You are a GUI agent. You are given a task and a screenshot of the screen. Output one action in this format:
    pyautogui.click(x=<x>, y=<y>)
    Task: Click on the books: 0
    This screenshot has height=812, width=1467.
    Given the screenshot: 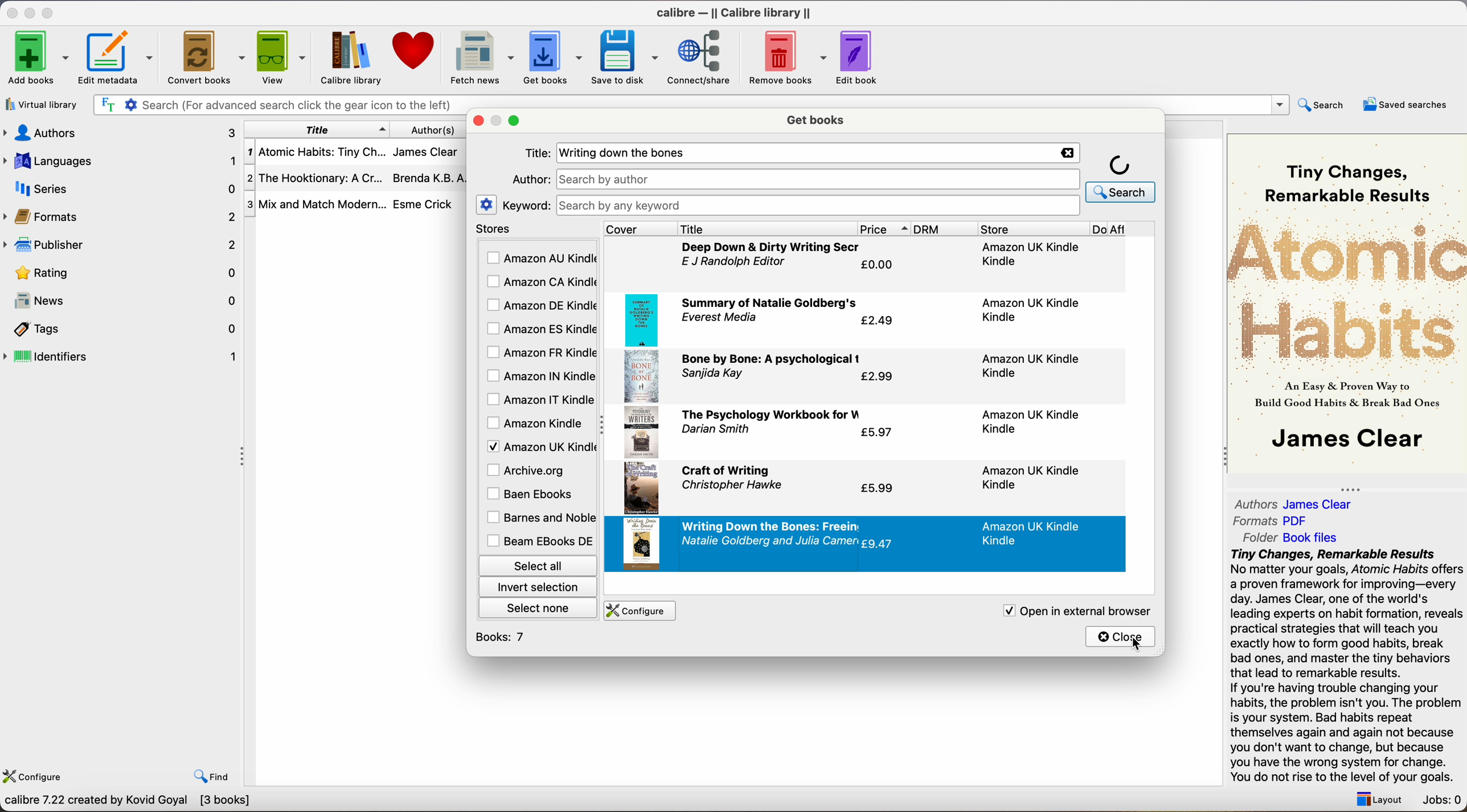 What is the action you would take?
    pyautogui.click(x=503, y=637)
    